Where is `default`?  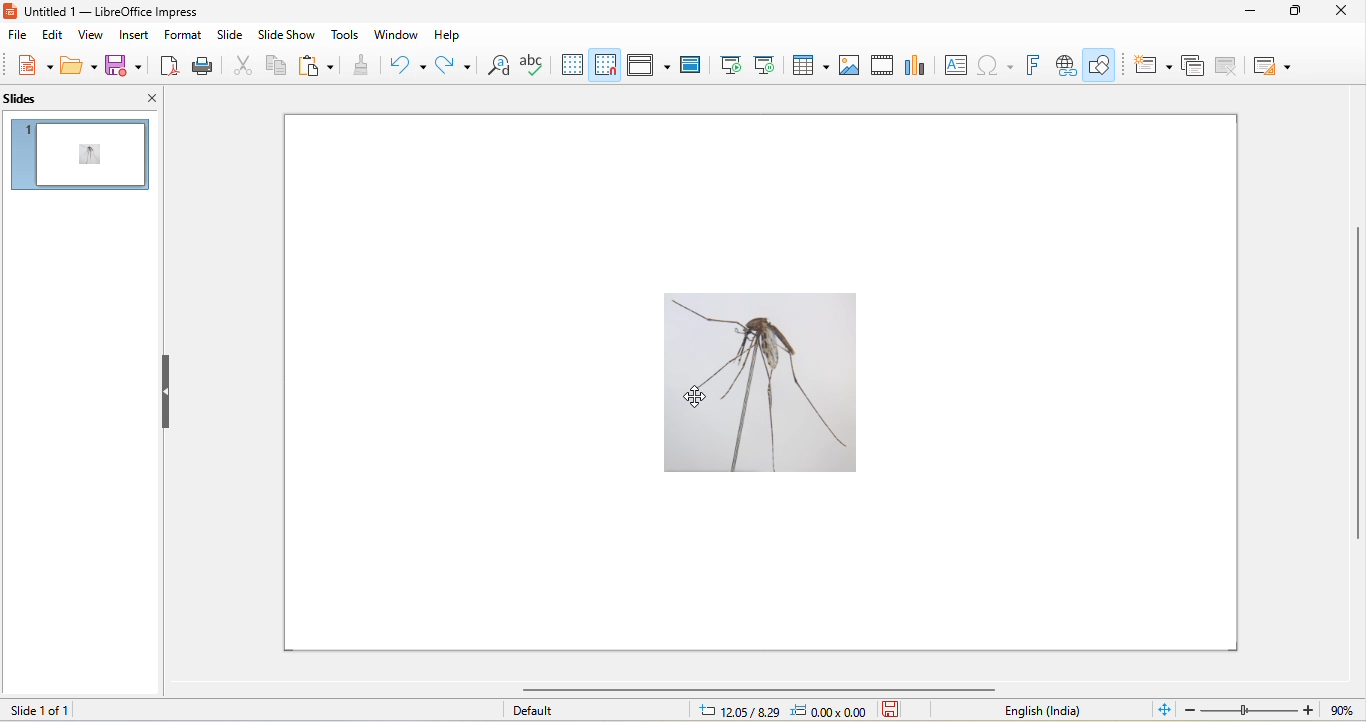 default is located at coordinates (539, 709).